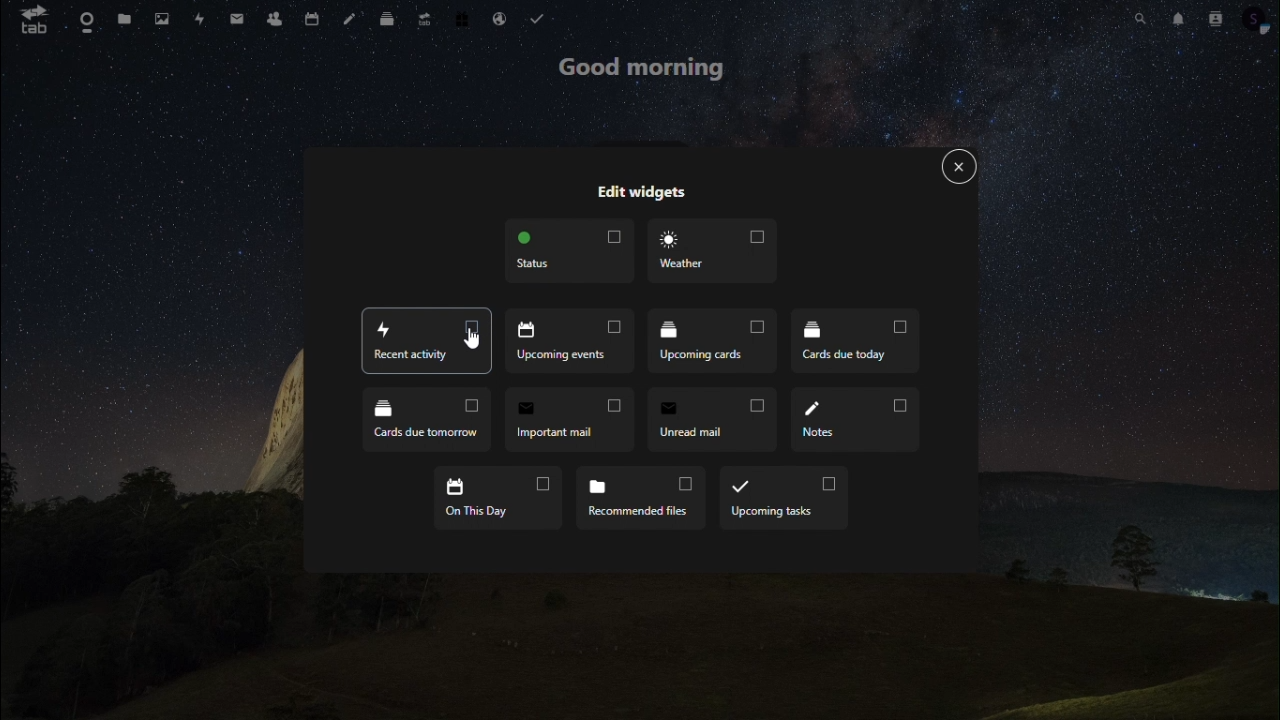 The height and width of the screenshot is (720, 1280). I want to click on activity, so click(198, 20).